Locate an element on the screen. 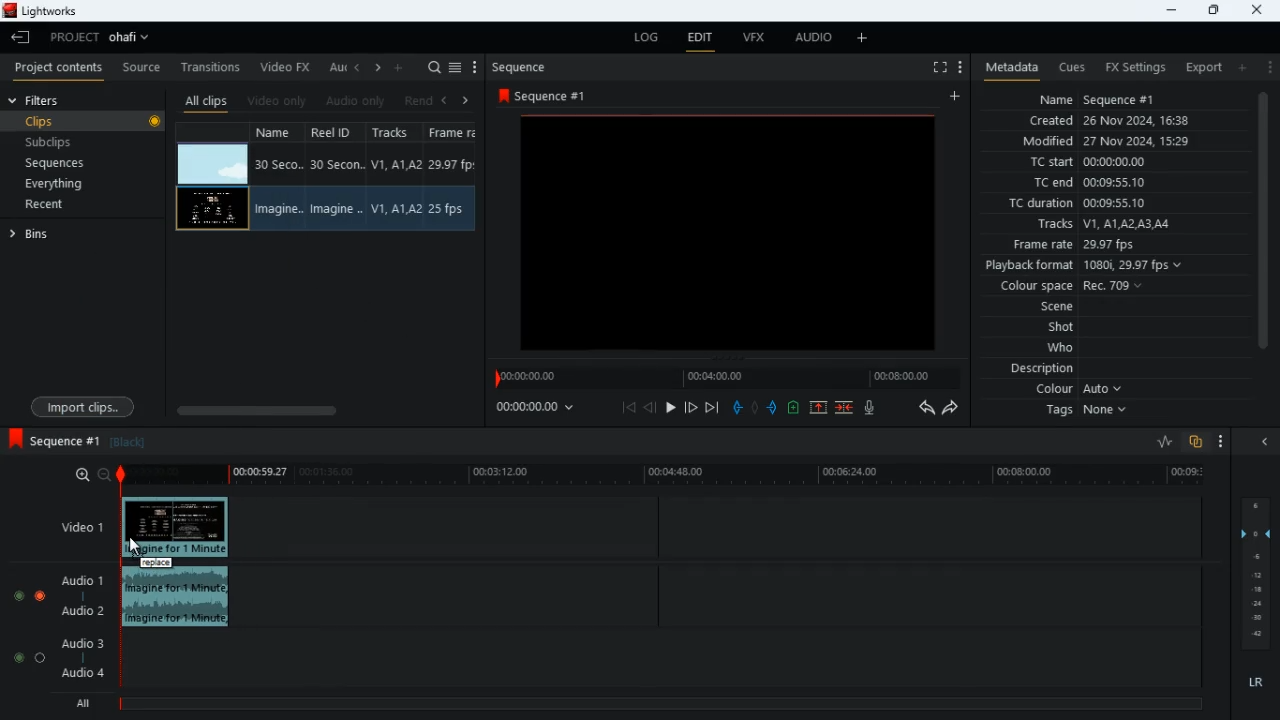  colour is located at coordinates (1080, 390).